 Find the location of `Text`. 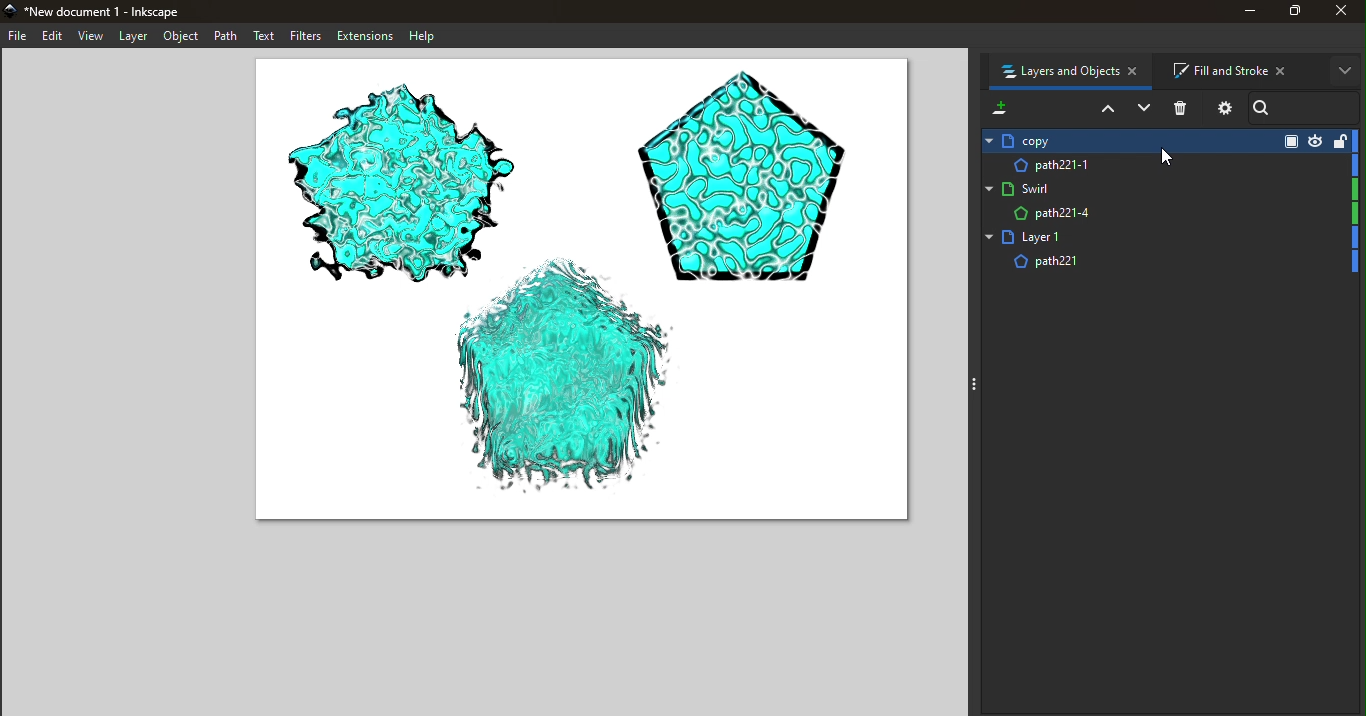

Text is located at coordinates (262, 36).